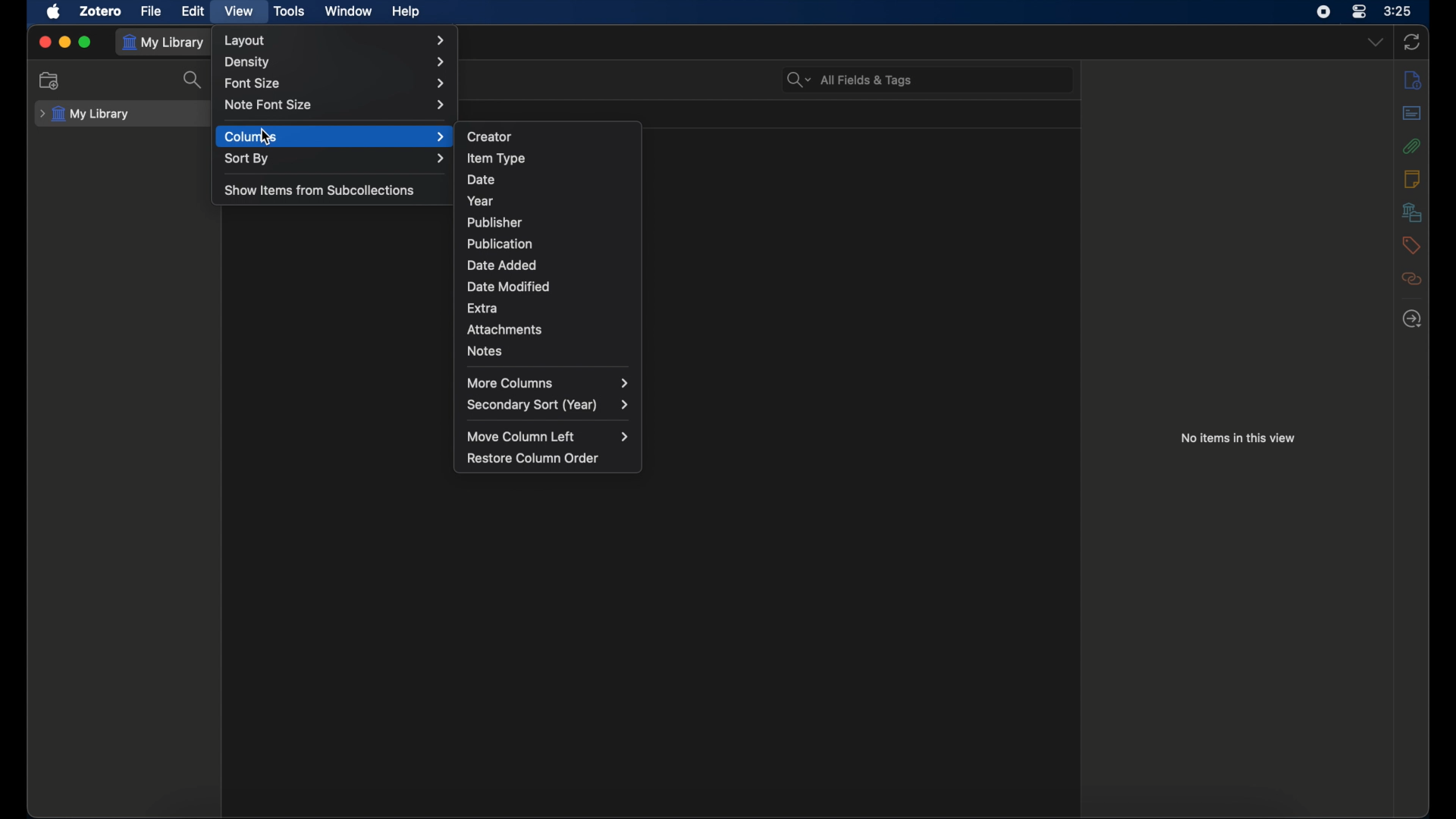 This screenshot has width=1456, height=819. I want to click on font size, so click(334, 83).